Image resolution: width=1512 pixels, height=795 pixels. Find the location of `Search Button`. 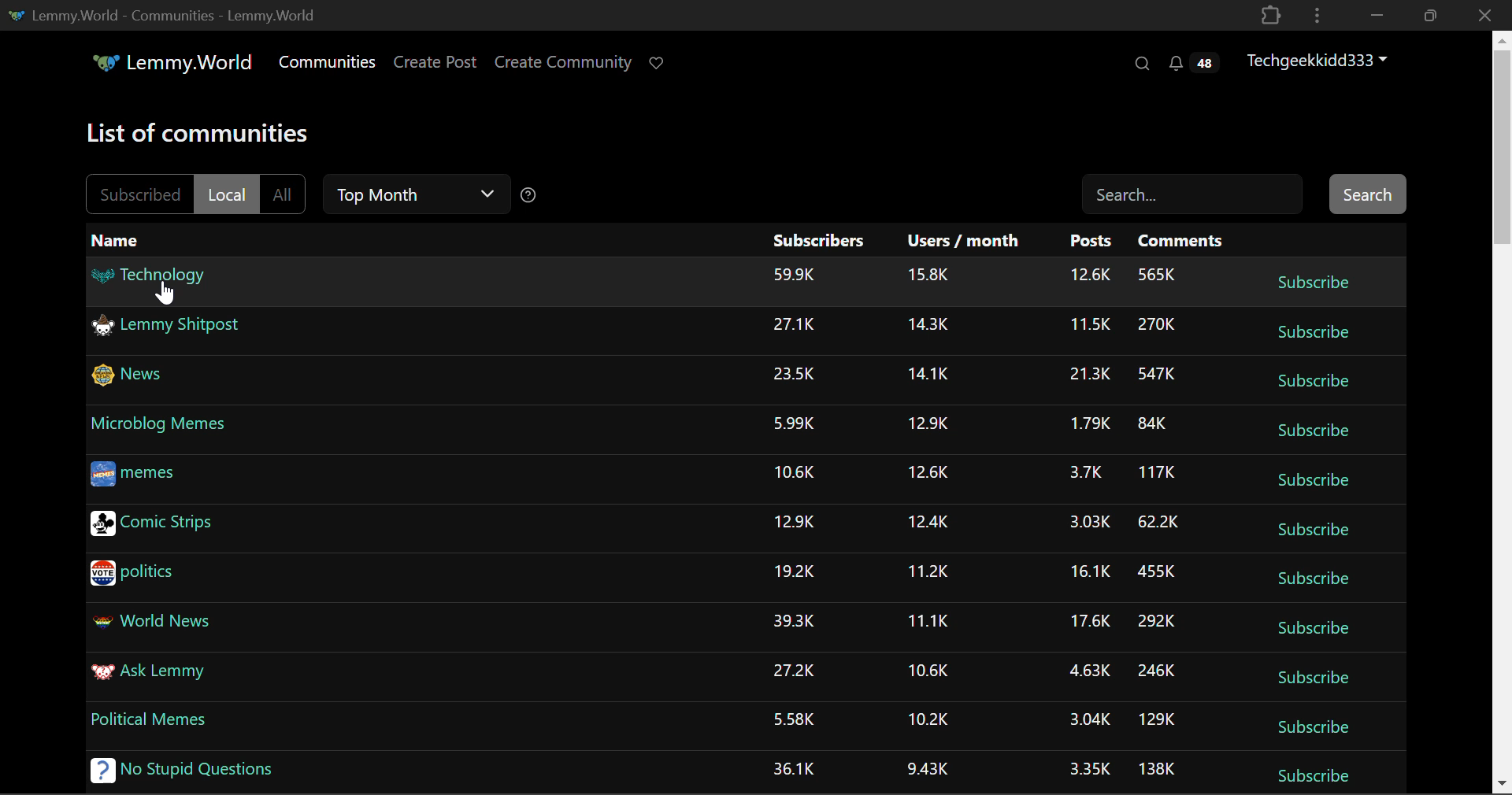

Search Button is located at coordinates (1369, 194).